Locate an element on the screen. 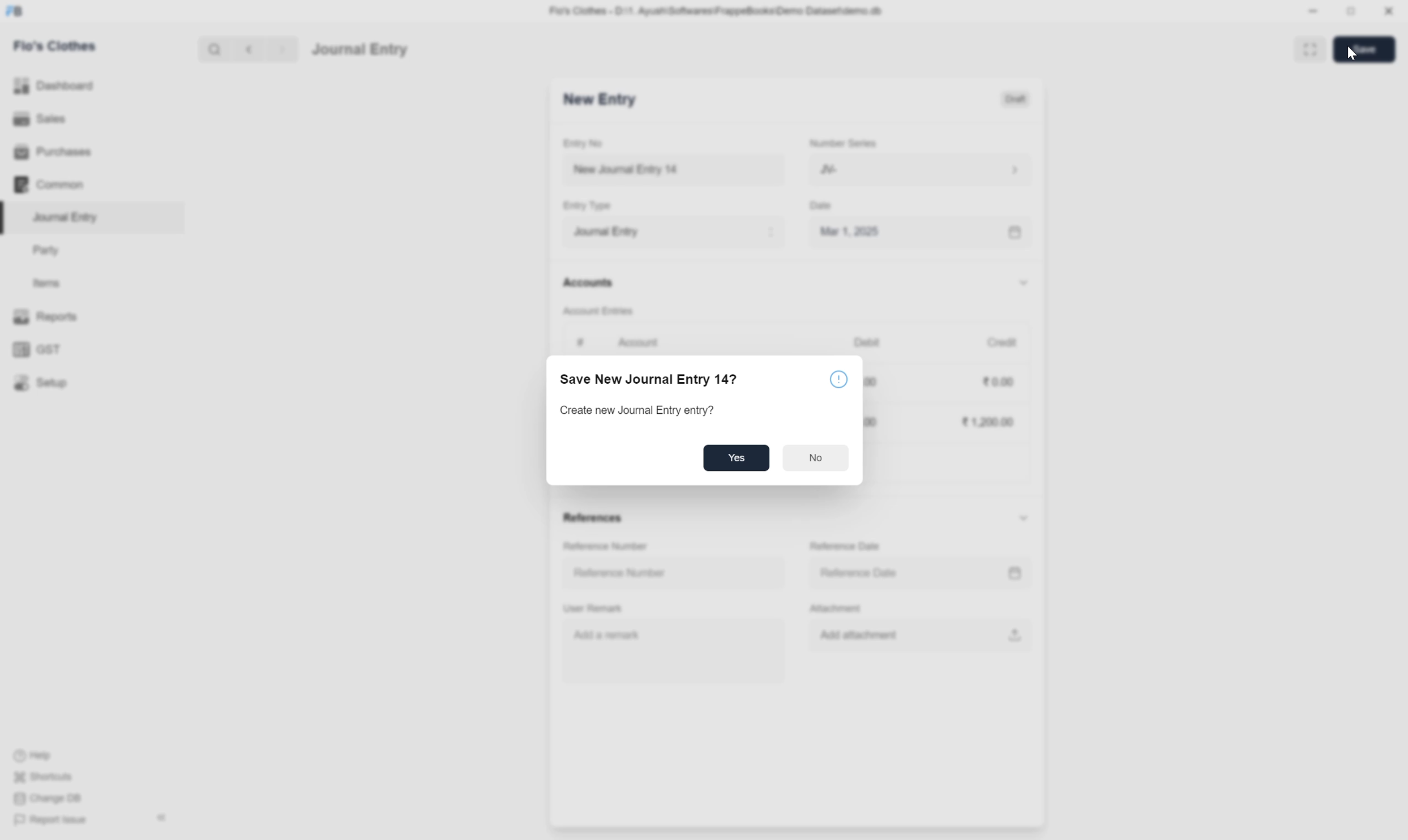  << is located at coordinates (161, 818).